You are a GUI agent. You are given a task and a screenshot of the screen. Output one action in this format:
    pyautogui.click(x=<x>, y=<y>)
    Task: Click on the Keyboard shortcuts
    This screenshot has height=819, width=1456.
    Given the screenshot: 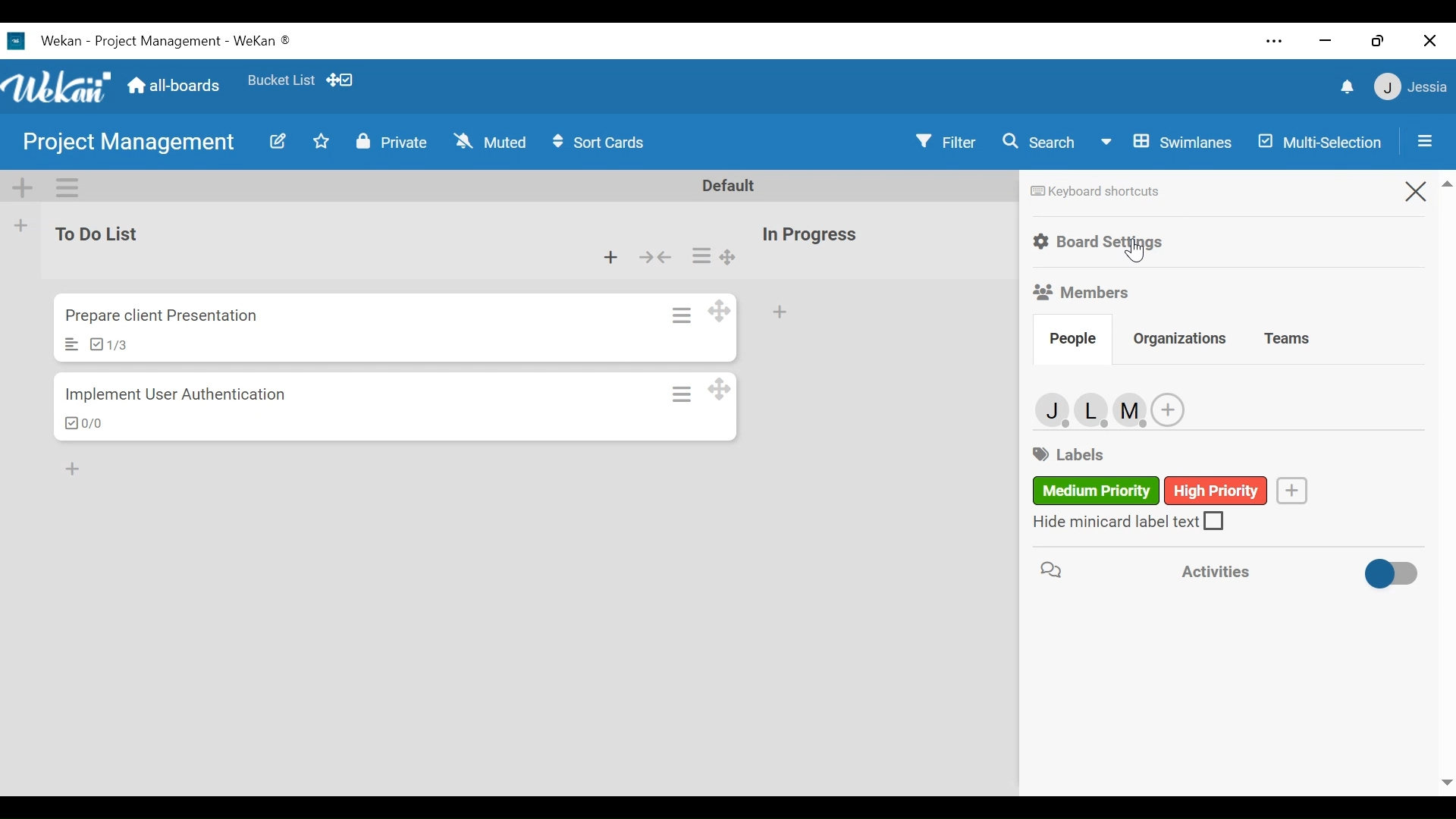 What is the action you would take?
    pyautogui.click(x=1093, y=192)
    